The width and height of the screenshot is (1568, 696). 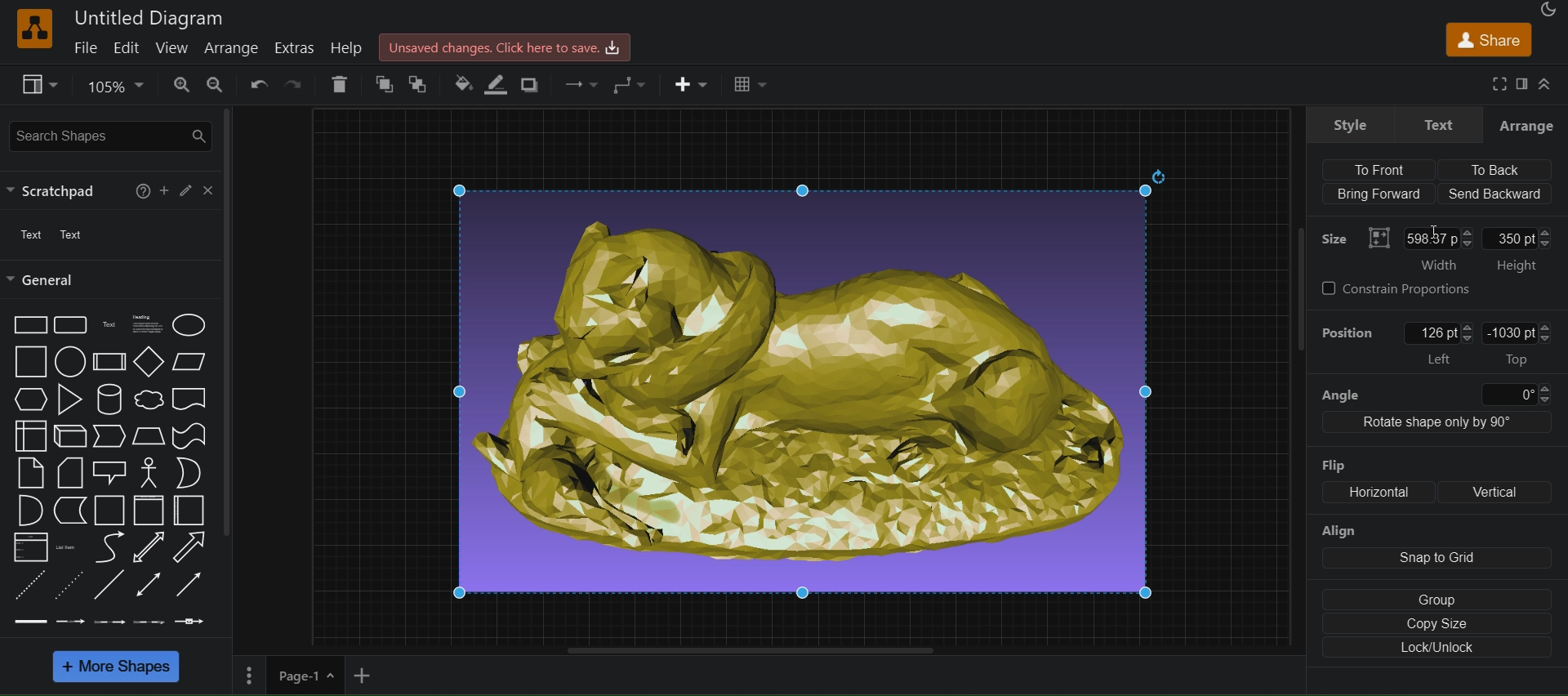 What do you see at coordinates (692, 87) in the screenshot?
I see `insert` at bounding box center [692, 87].